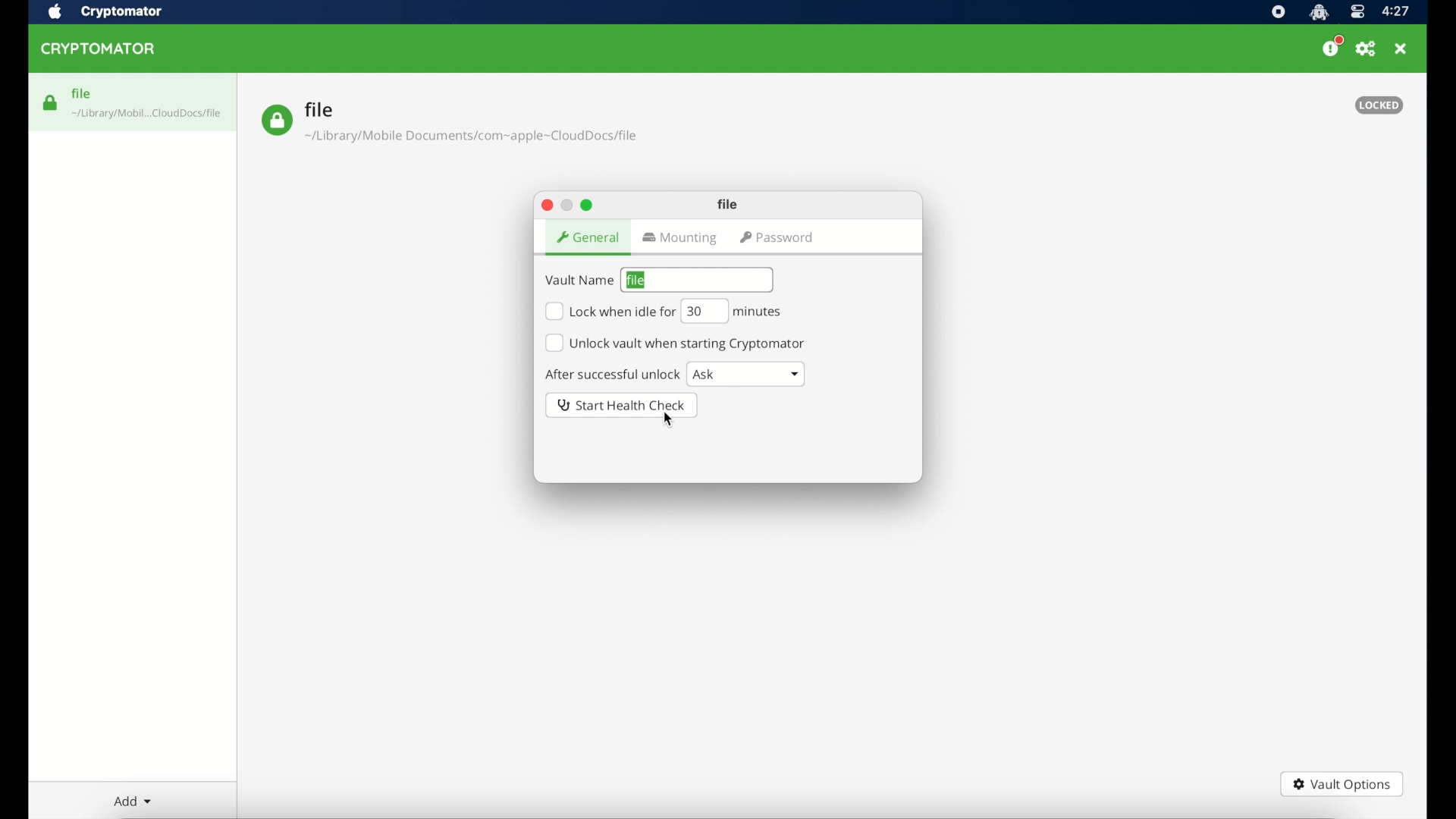 The image size is (1456, 819). Describe the element at coordinates (579, 281) in the screenshot. I see `vault name` at that location.